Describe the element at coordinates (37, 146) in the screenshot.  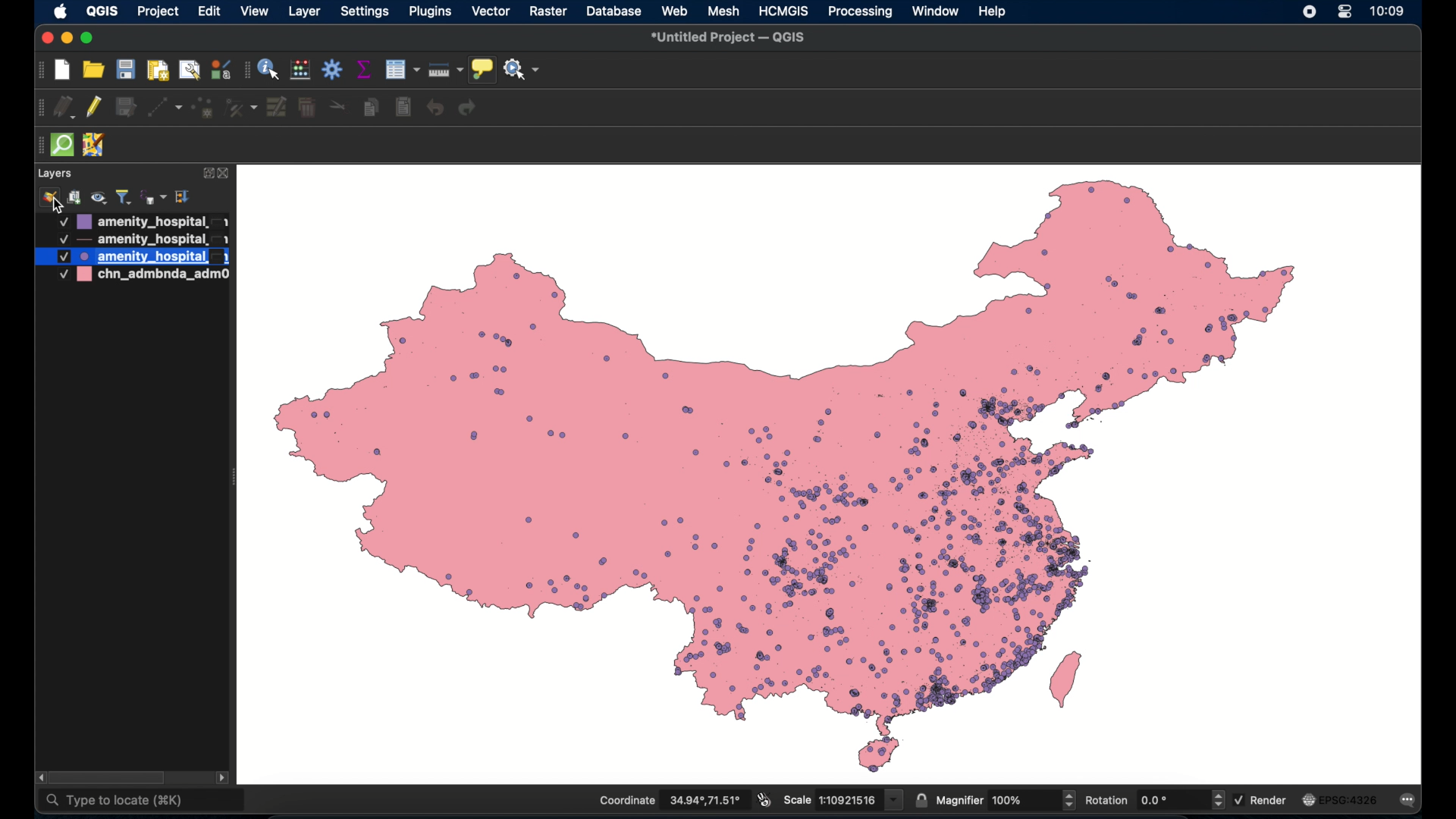
I see `drag handle` at that location.